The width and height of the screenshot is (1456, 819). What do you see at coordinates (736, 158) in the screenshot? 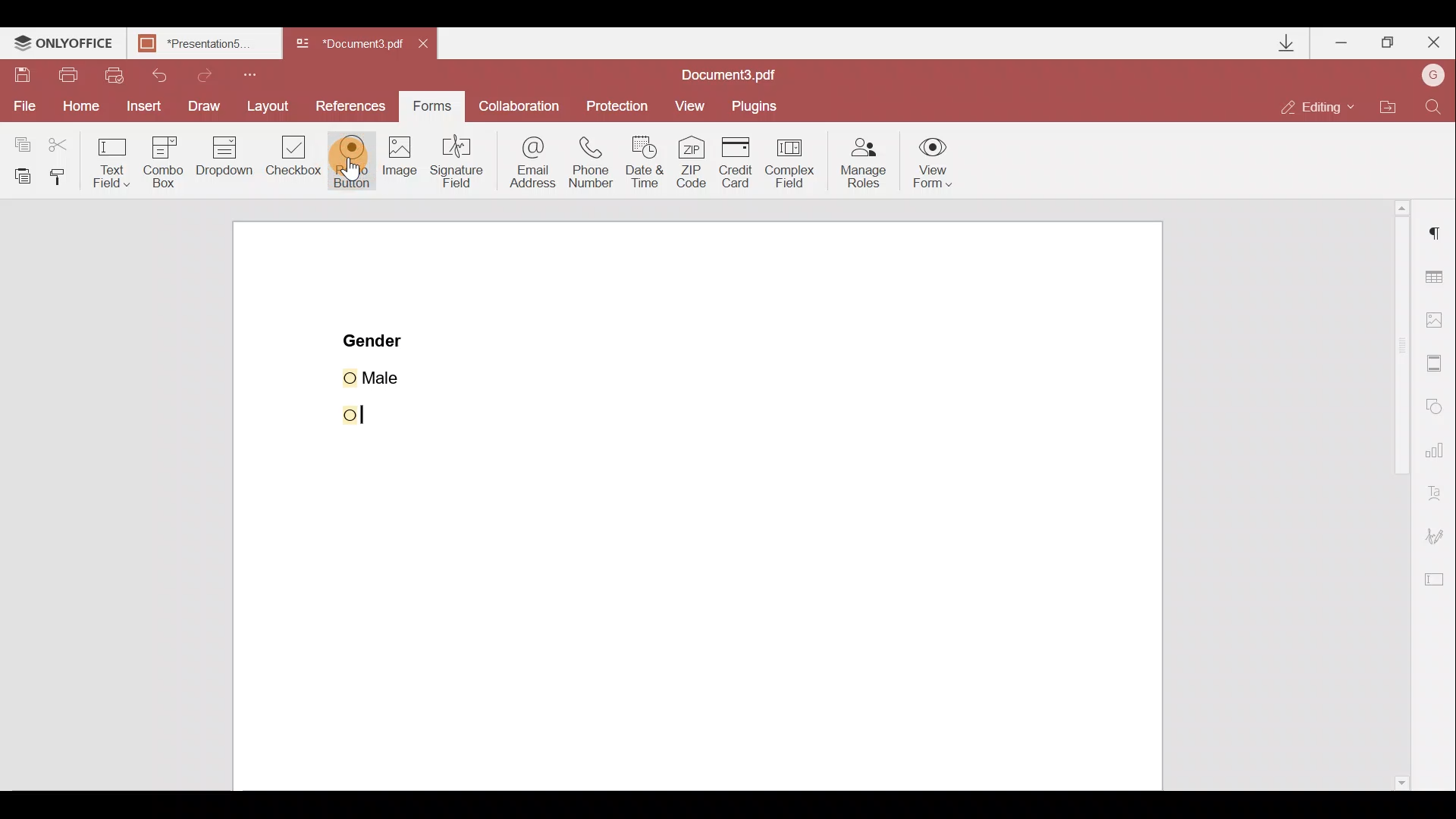
I see `Credit card` at bounding box center [736, 158].